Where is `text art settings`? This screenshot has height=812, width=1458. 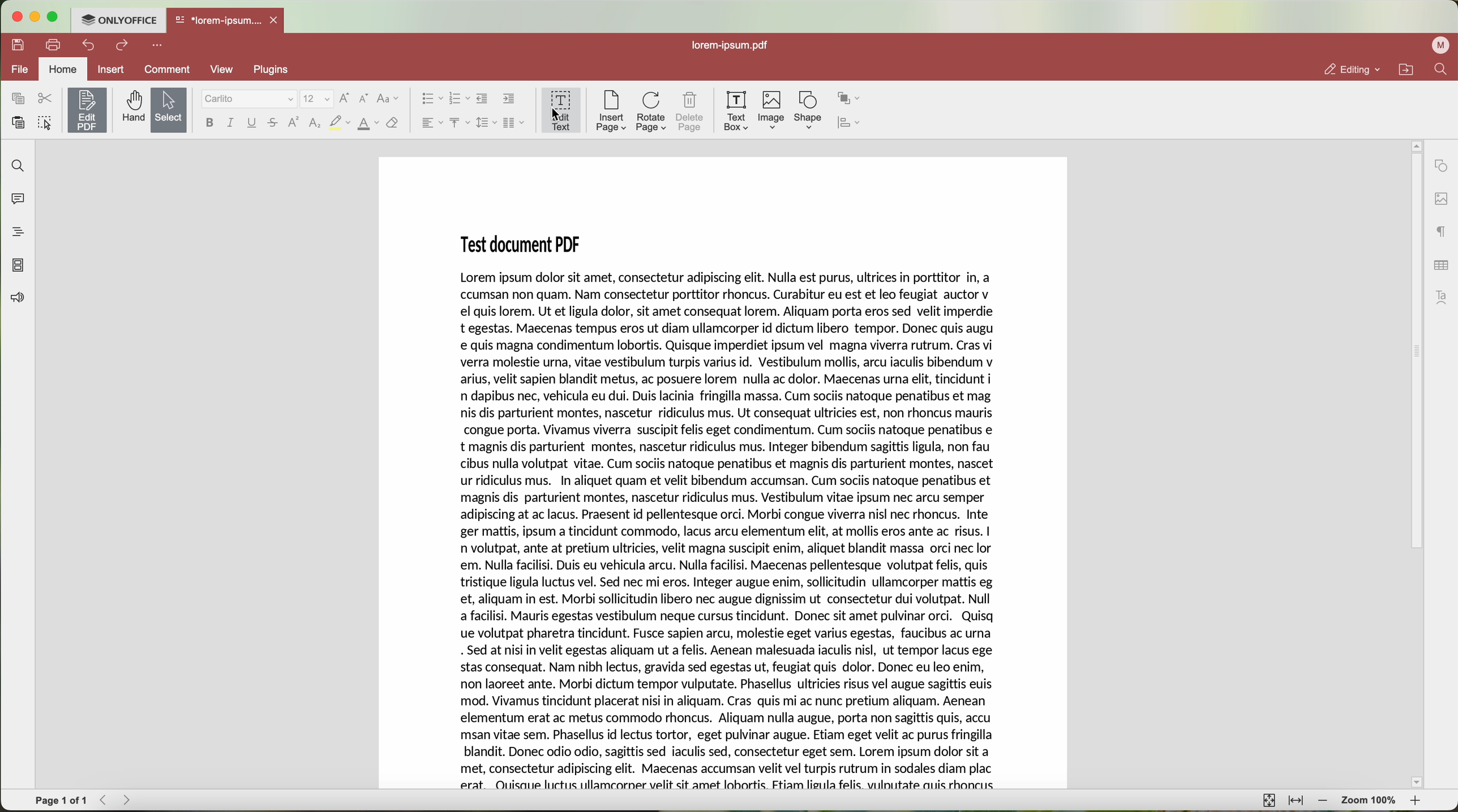 text art settings is located at coordinates (1440, 298).